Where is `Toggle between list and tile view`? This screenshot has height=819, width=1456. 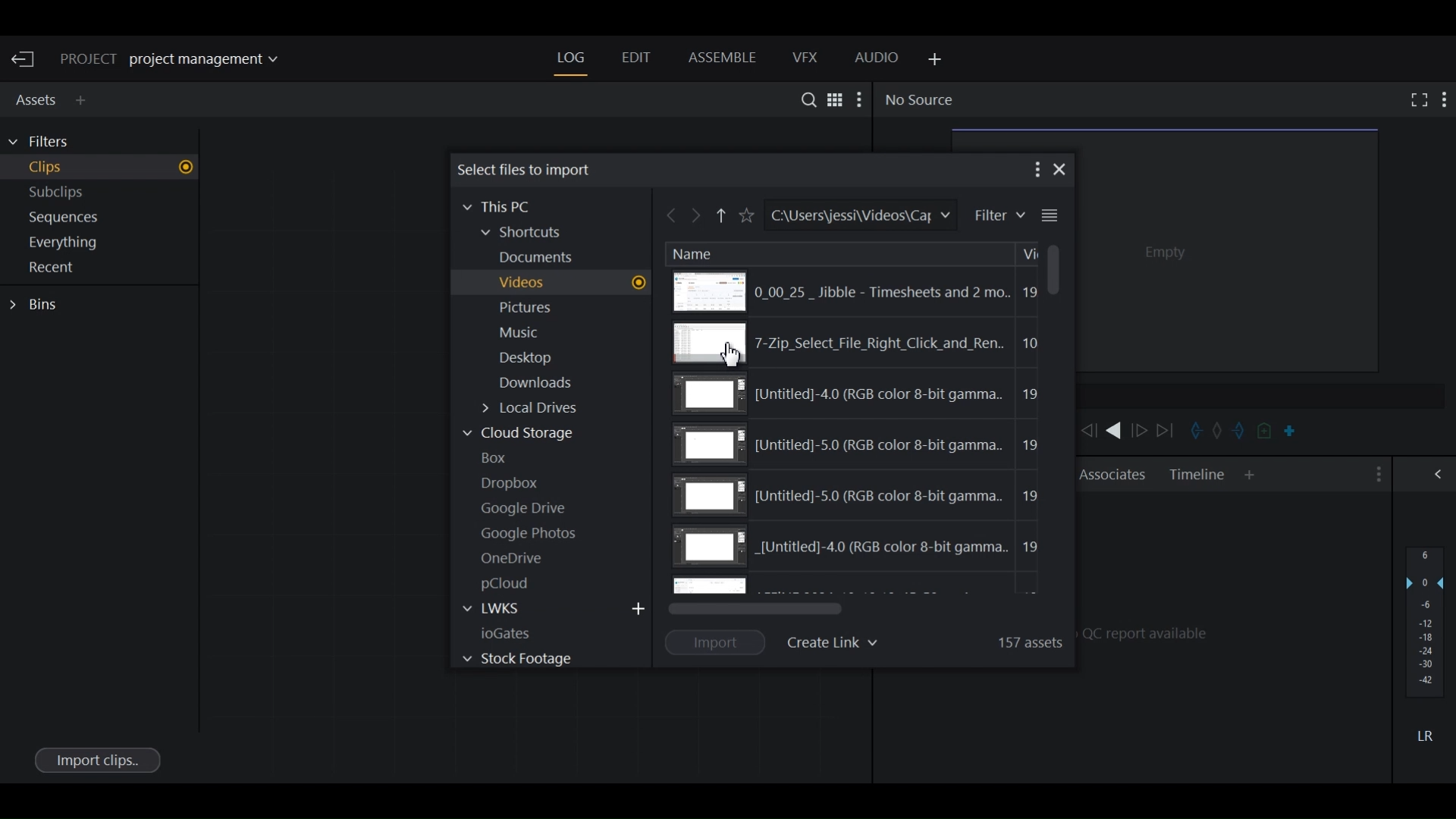 Toggle between list and tile view is located at coordinates (1050, 216).